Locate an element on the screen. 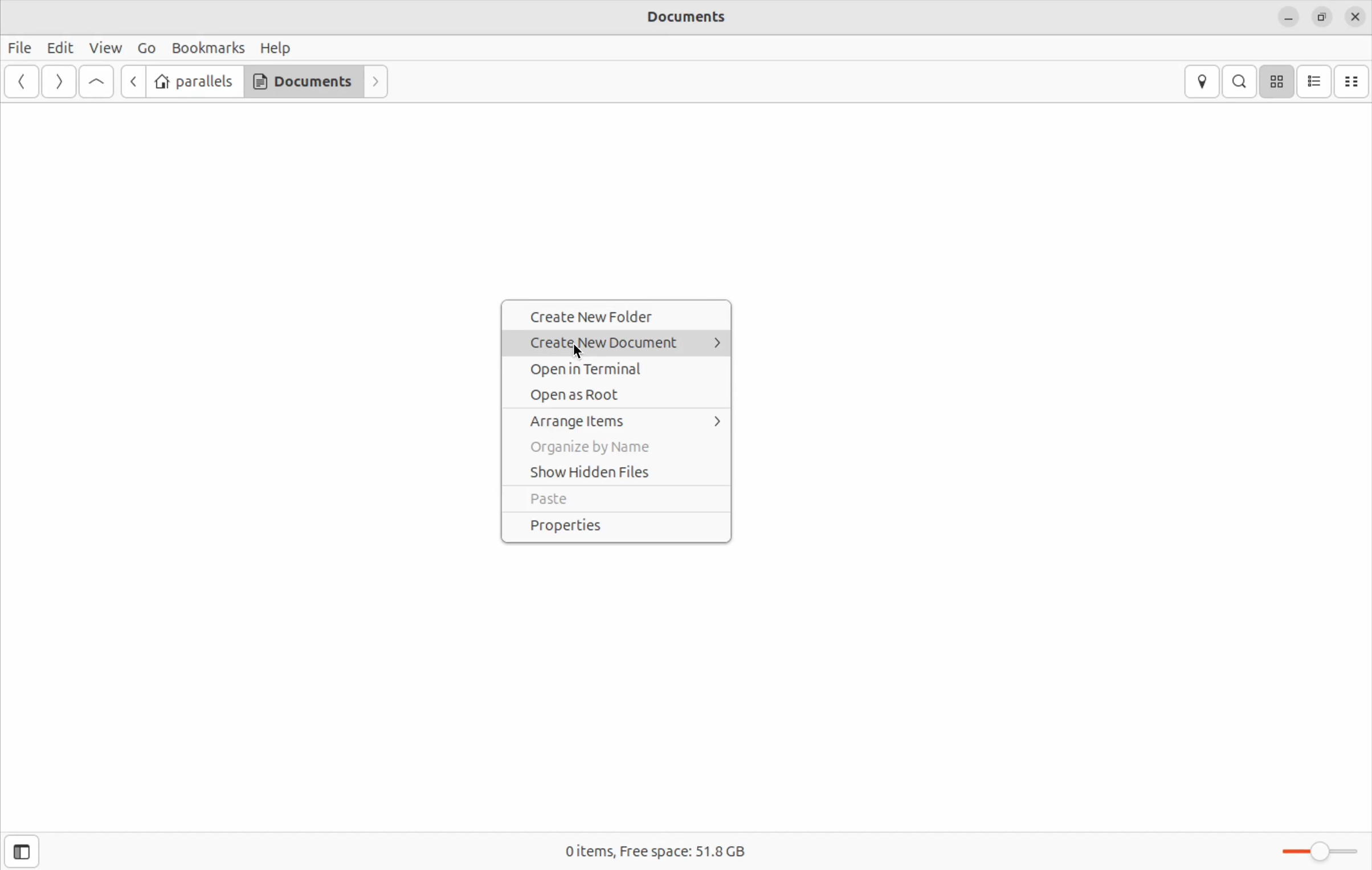 This screenshot has width=1372, height=870. Paste is located at coordinates (614, 500).